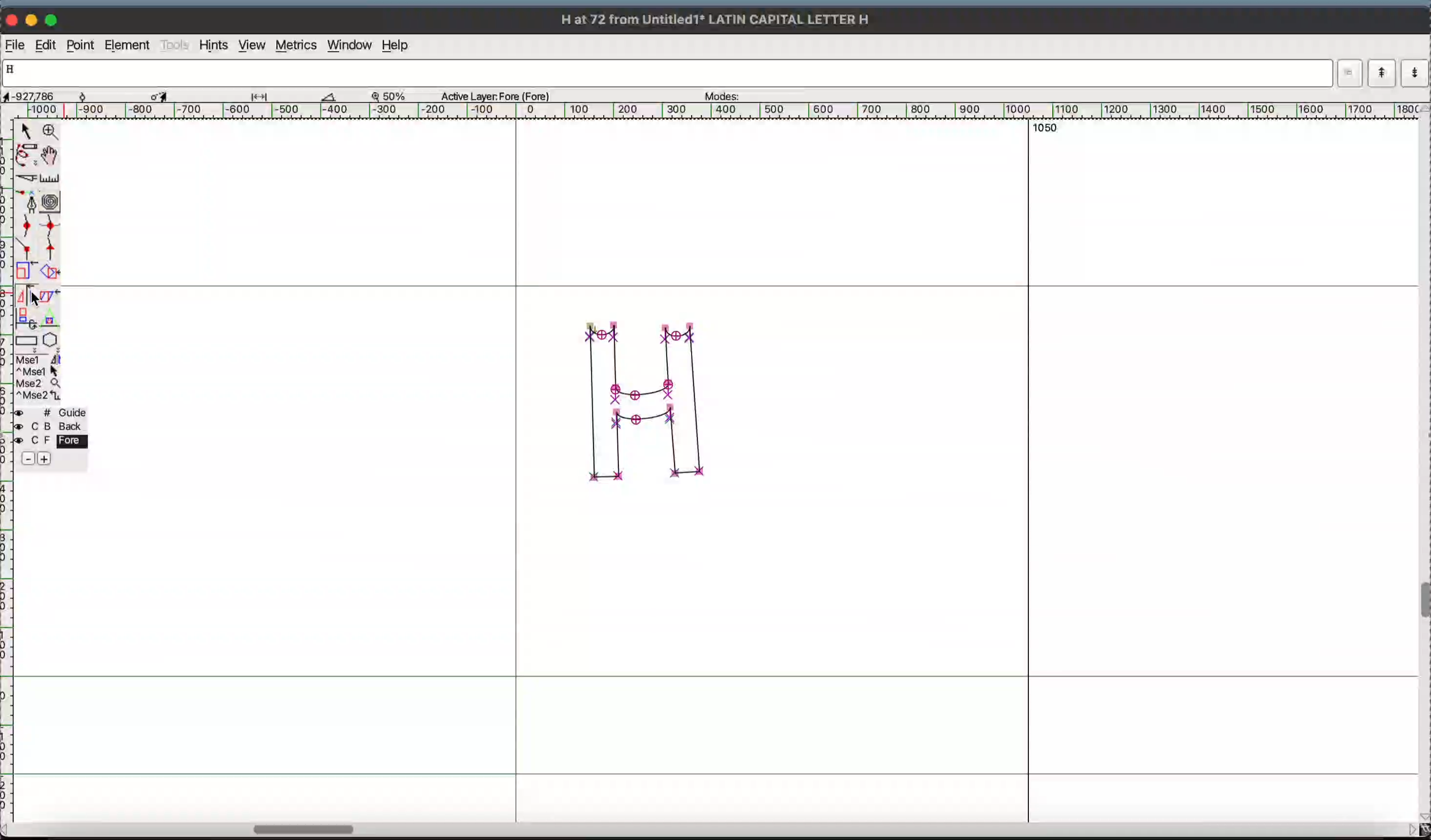 The width and height of the screenshot is (1431, 840). What do you see at coordinates (27, 154) in the screenshot?
I see `freehand` at bounding box center [27, 154].